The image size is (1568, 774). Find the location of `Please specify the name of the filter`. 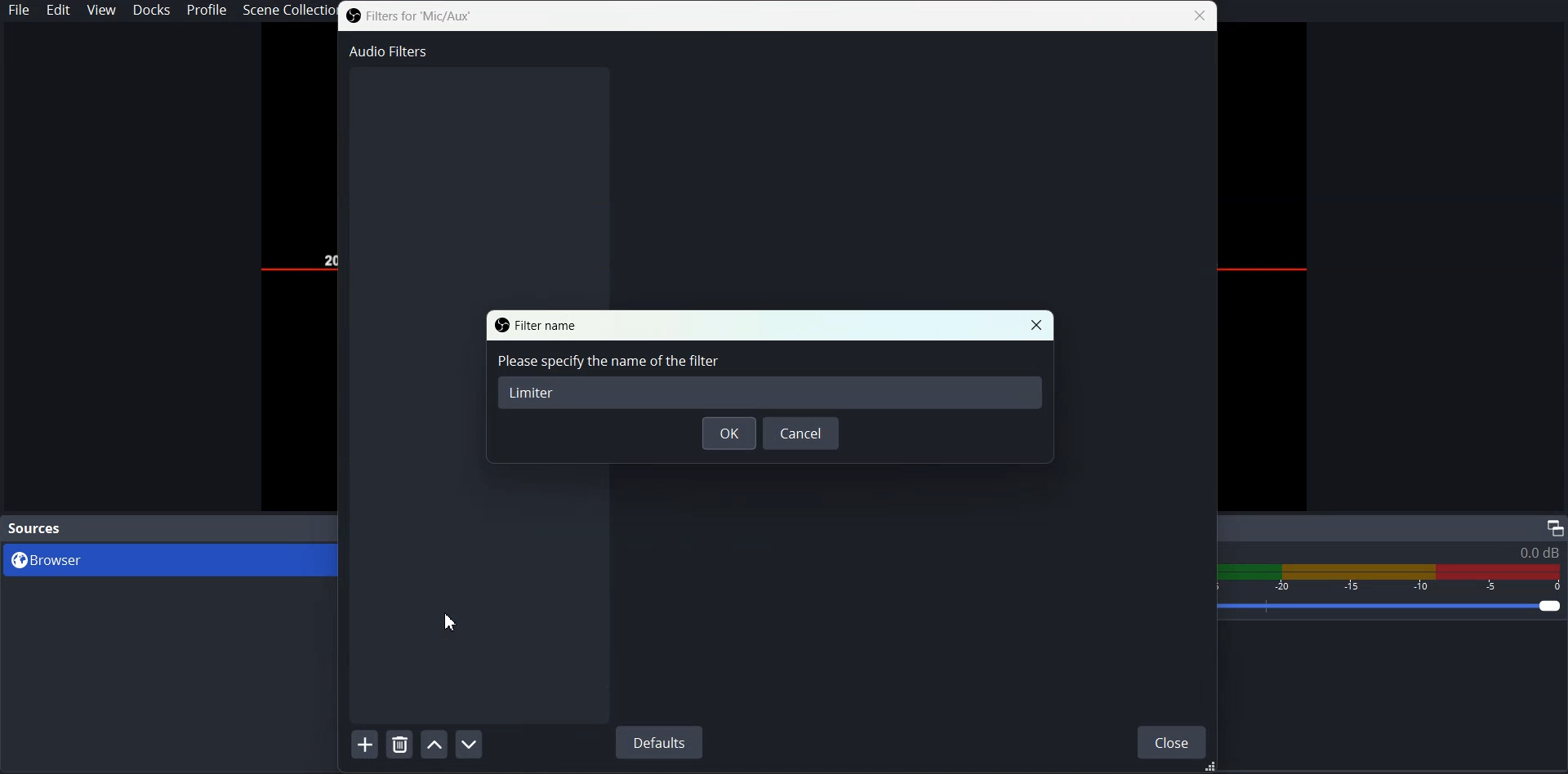

Please specify the name of the filter is located at coordinates (608, 363).